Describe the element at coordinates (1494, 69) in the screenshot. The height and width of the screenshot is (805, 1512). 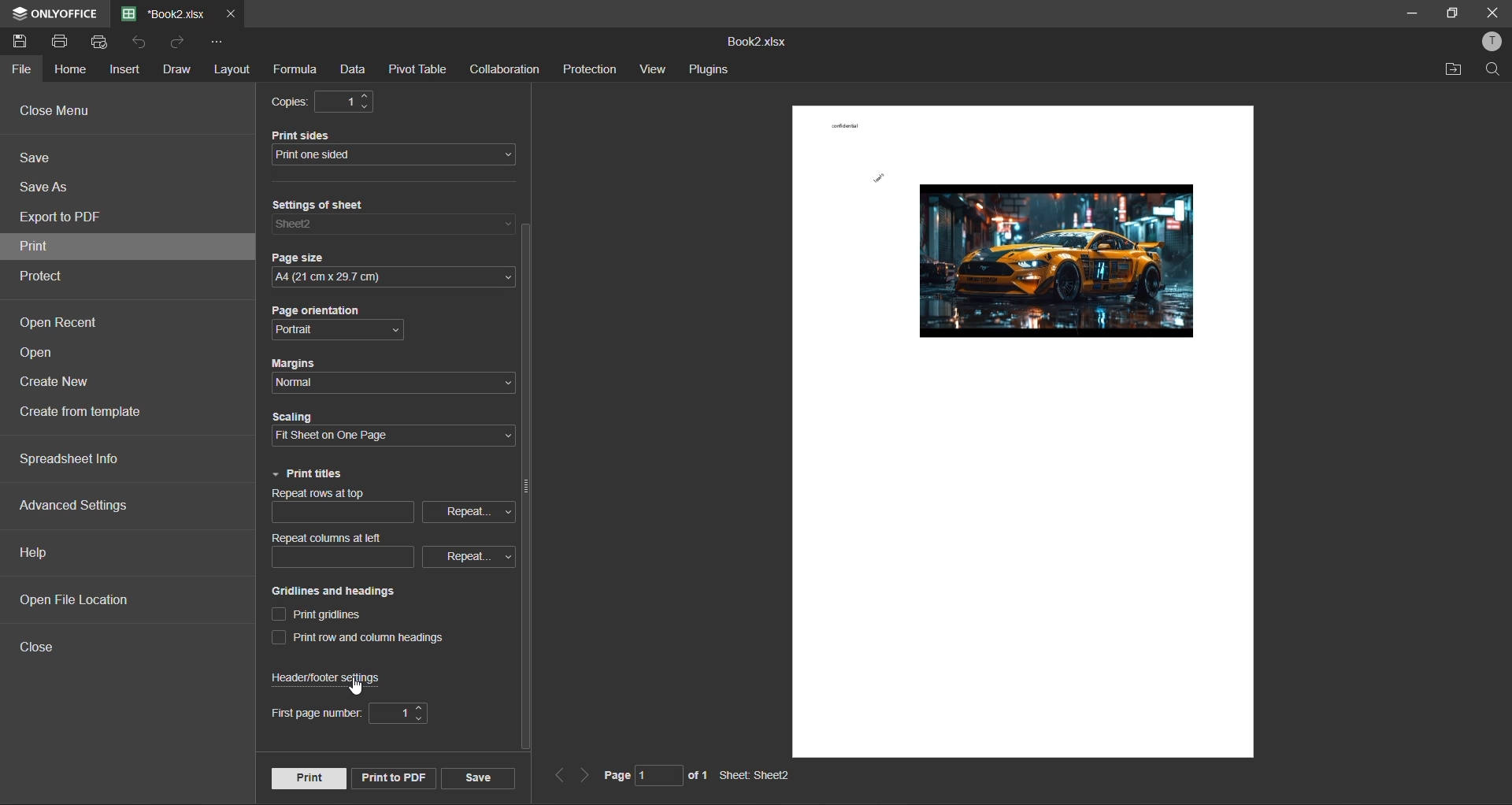
I see `find` at that location.